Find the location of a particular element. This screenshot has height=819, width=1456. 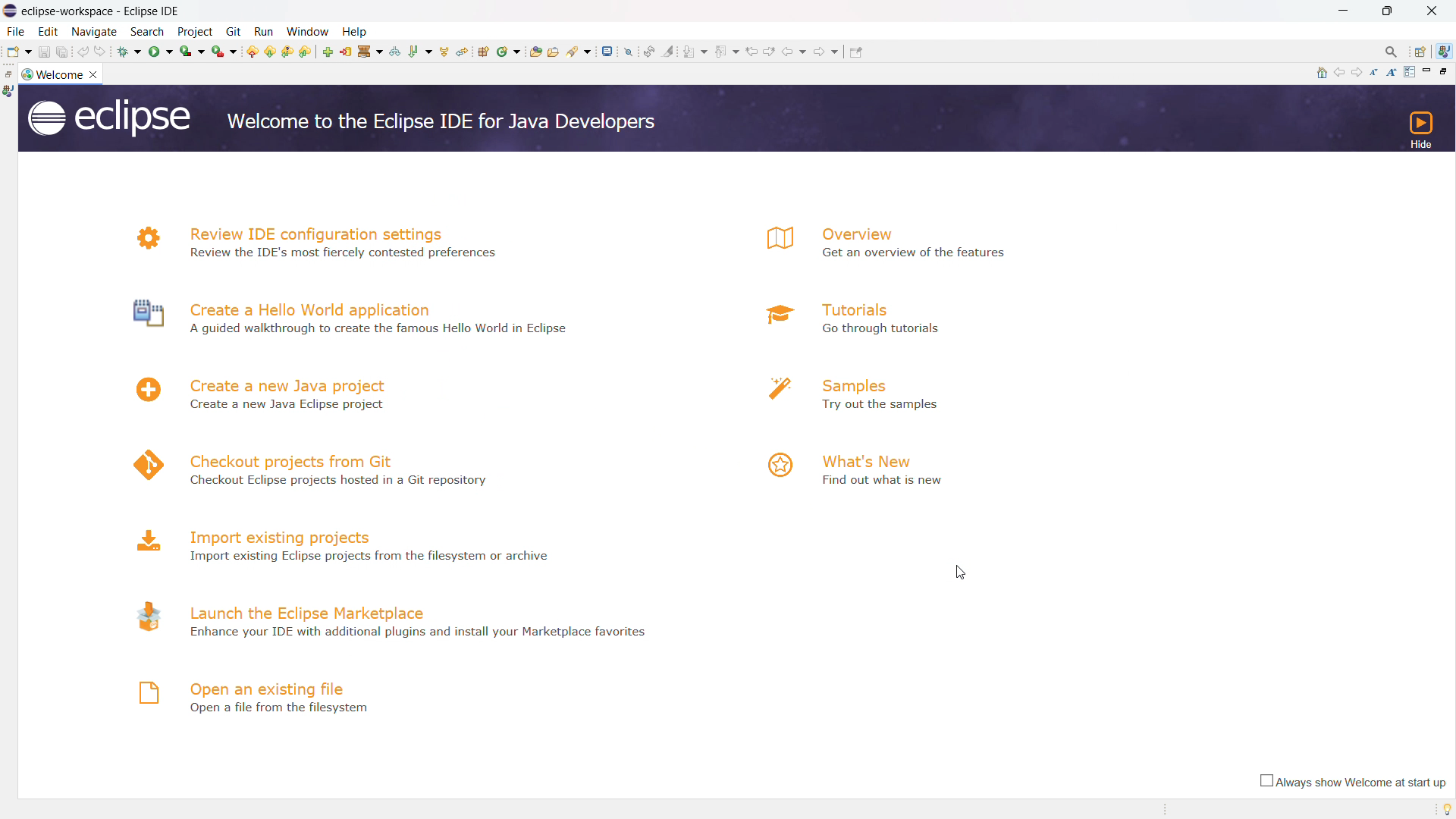

file is located at coordinates (16, 31).